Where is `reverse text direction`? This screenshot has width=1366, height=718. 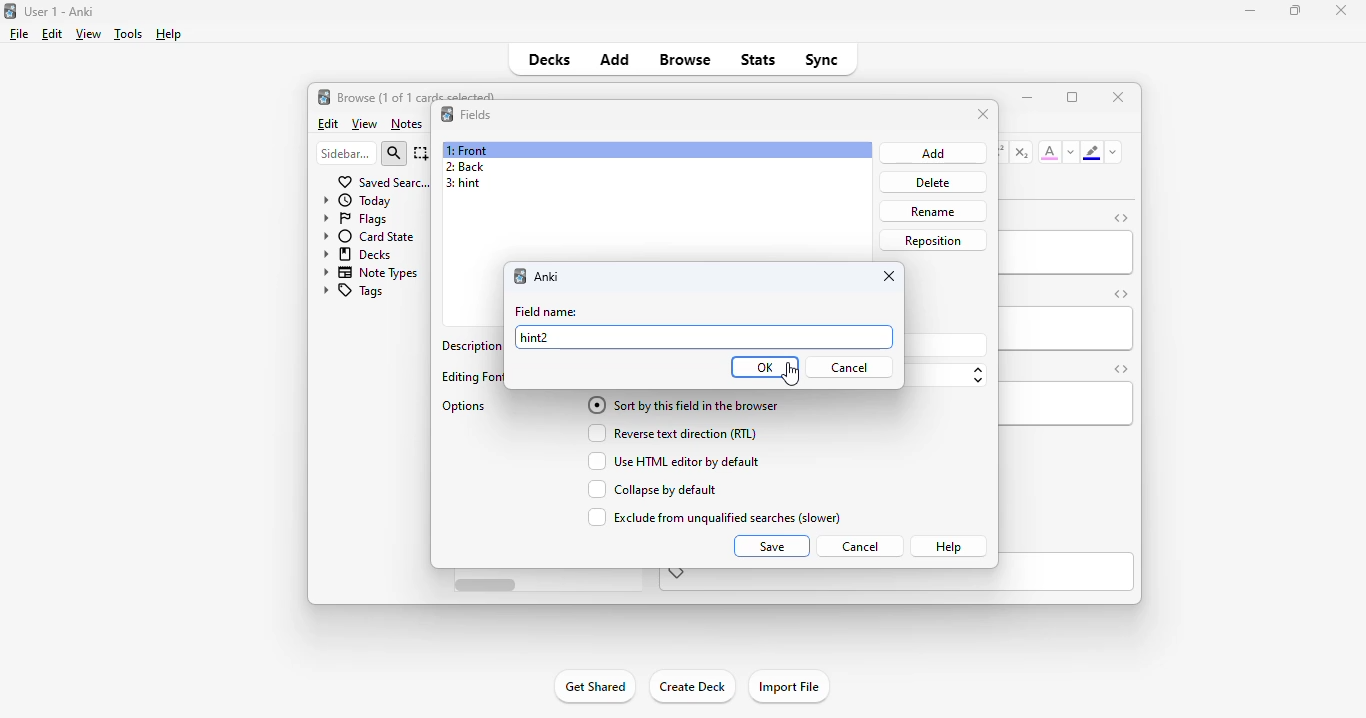 reverse text direction is located at coordinates (669, 433).